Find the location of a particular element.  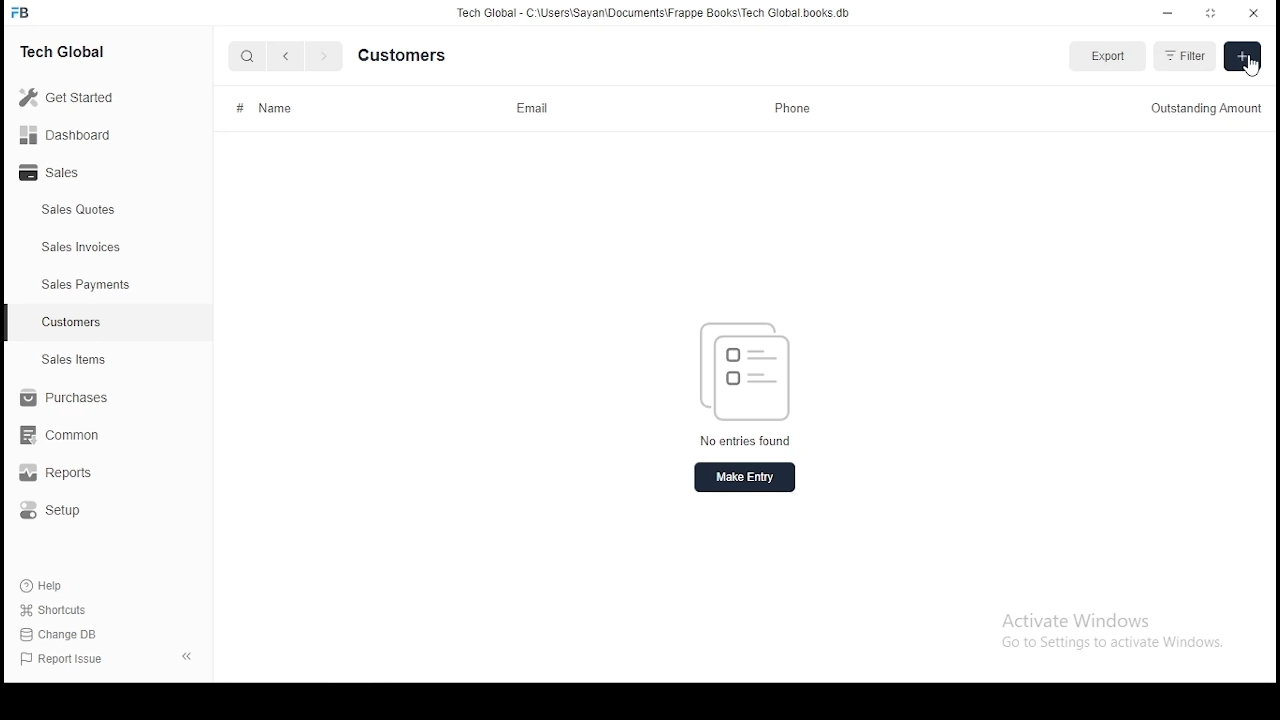

sales quotes is located at coordinates (81, 210).